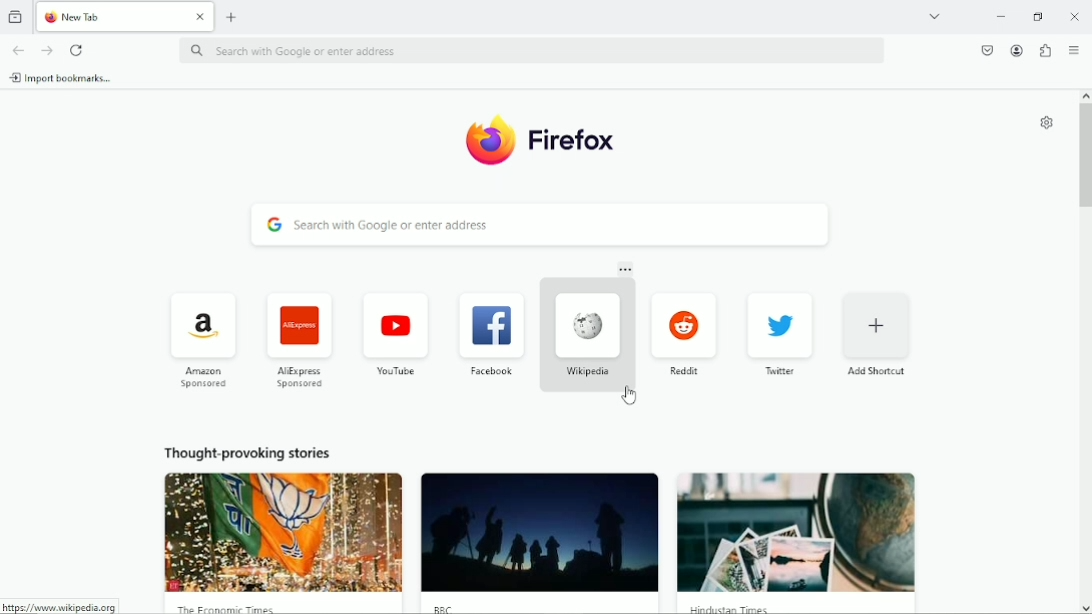 This screenshot has width=1092, height=614. I want to click on scroll up, so click(1085, 95).